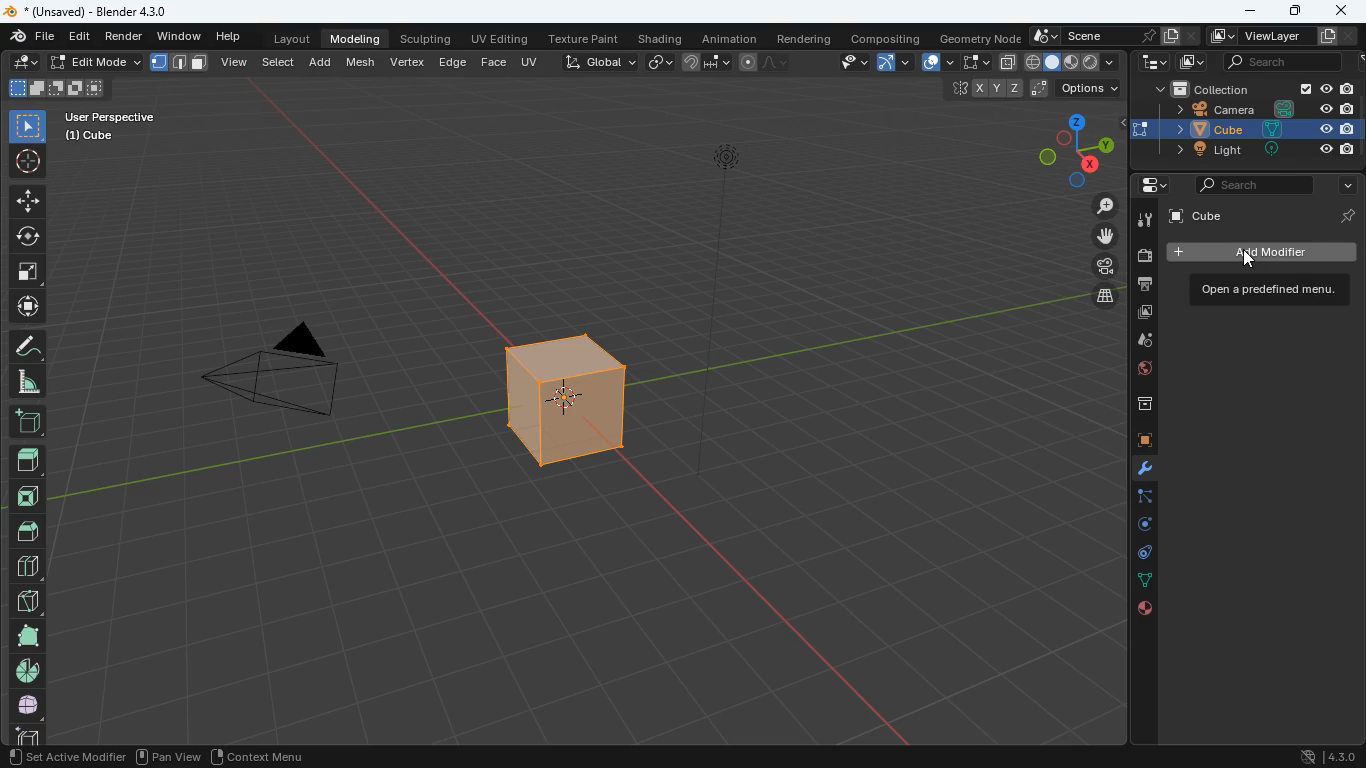  Describe the element at coordinates (1283, 37) in the screenshot. I see `viewlayer` at that location.